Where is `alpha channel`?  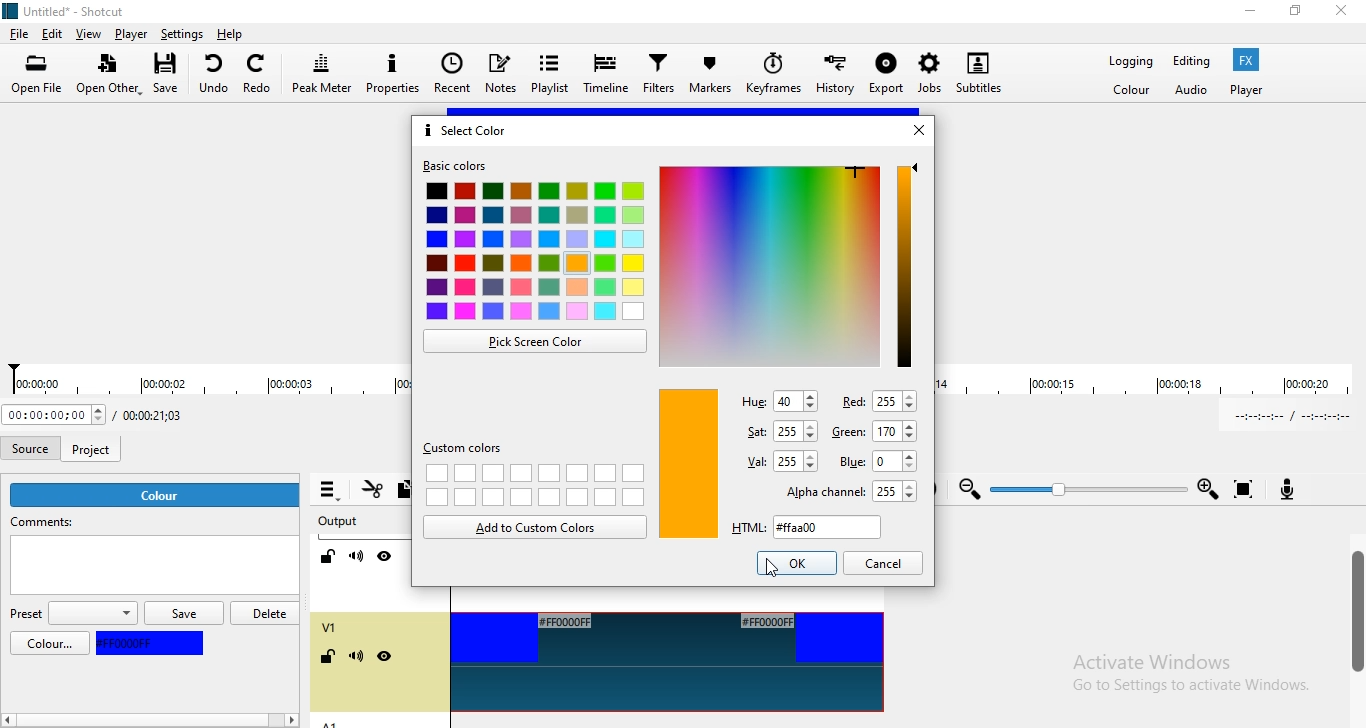
alpha channel is located at coordinates (842, 490).